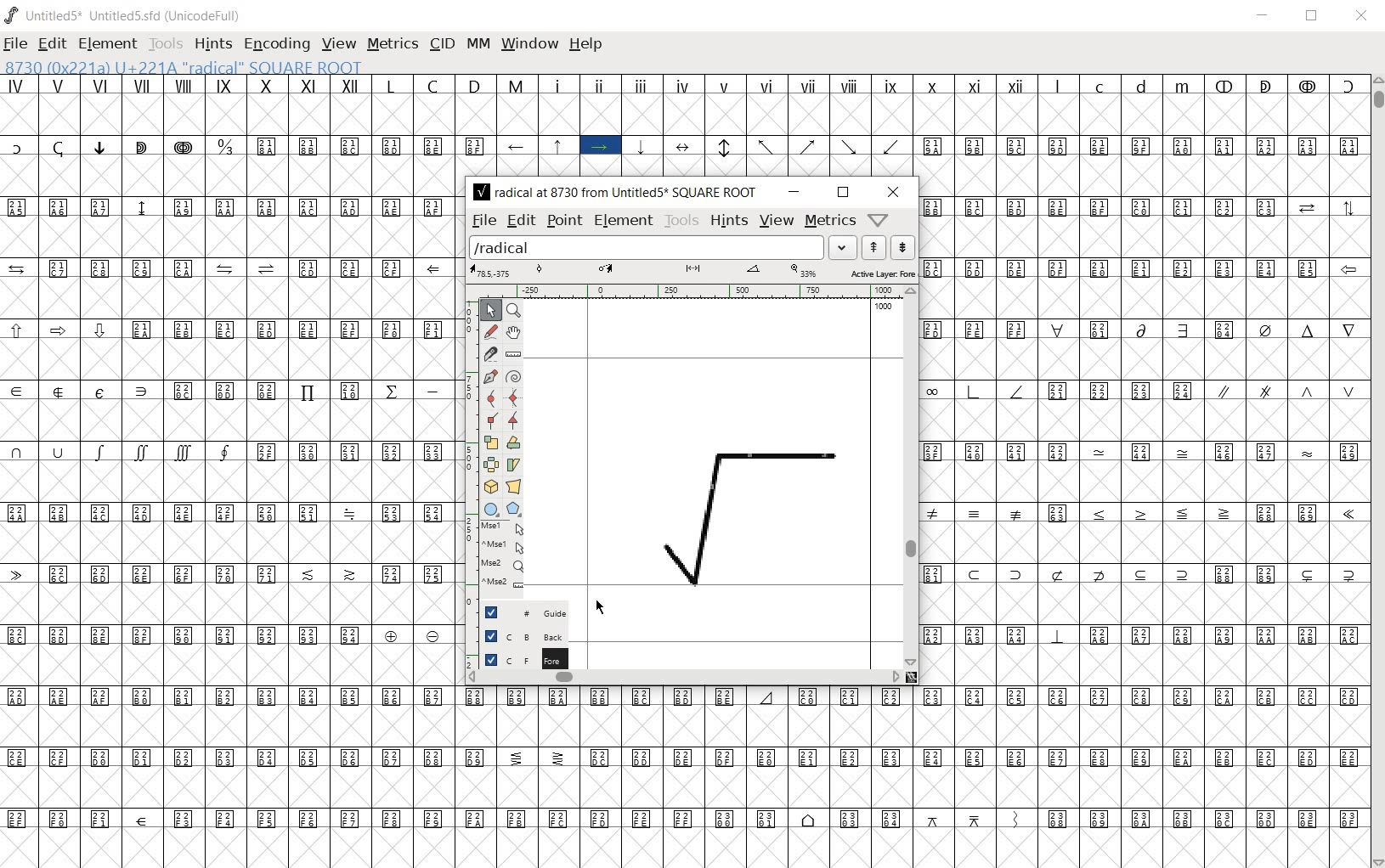 The width and height of the screenshot is (1385, 868). I want to click on show the next word on the list, so click(875, 246).